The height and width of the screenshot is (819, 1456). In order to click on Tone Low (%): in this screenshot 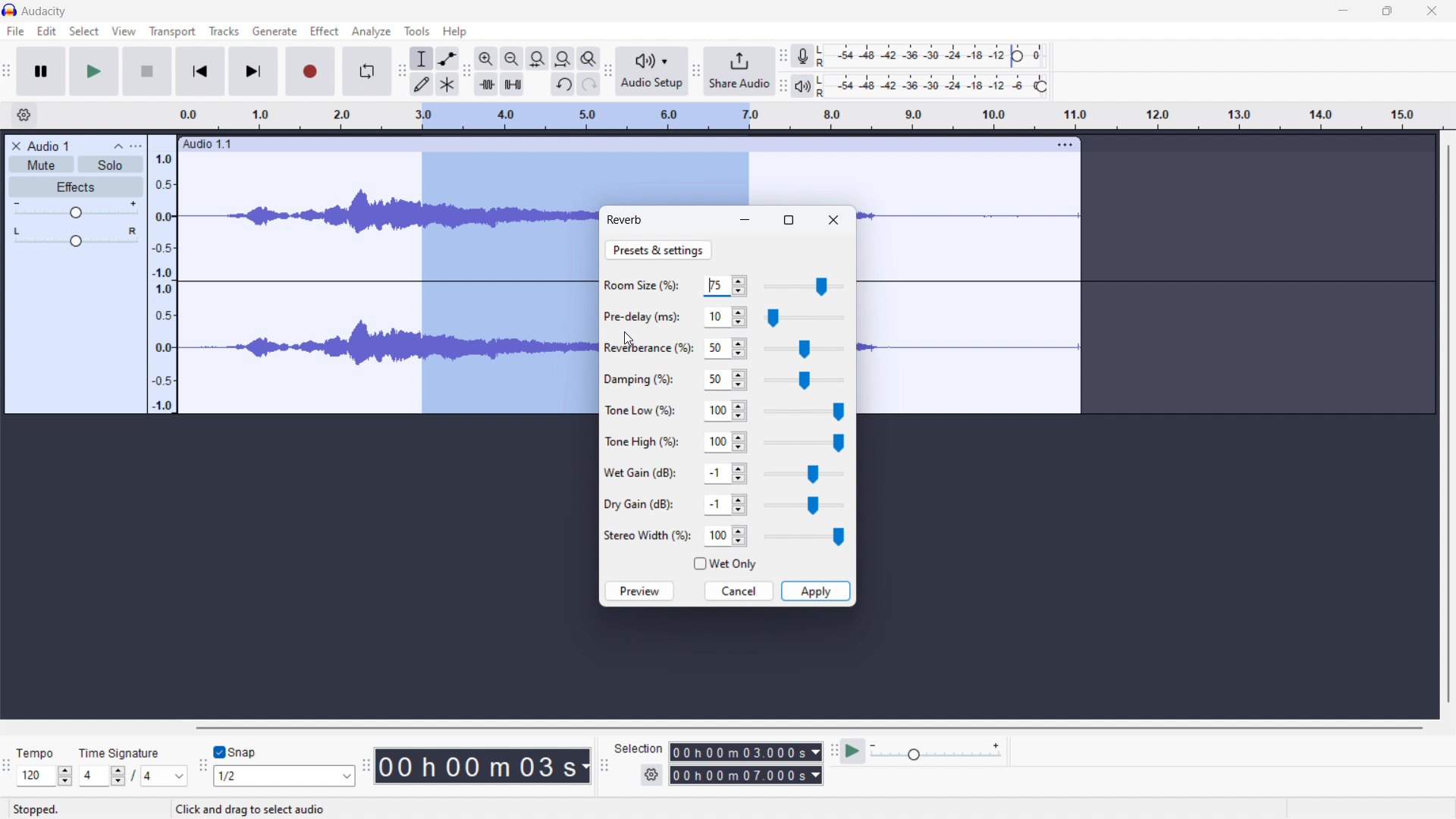, I will do `click(641, 409)`.